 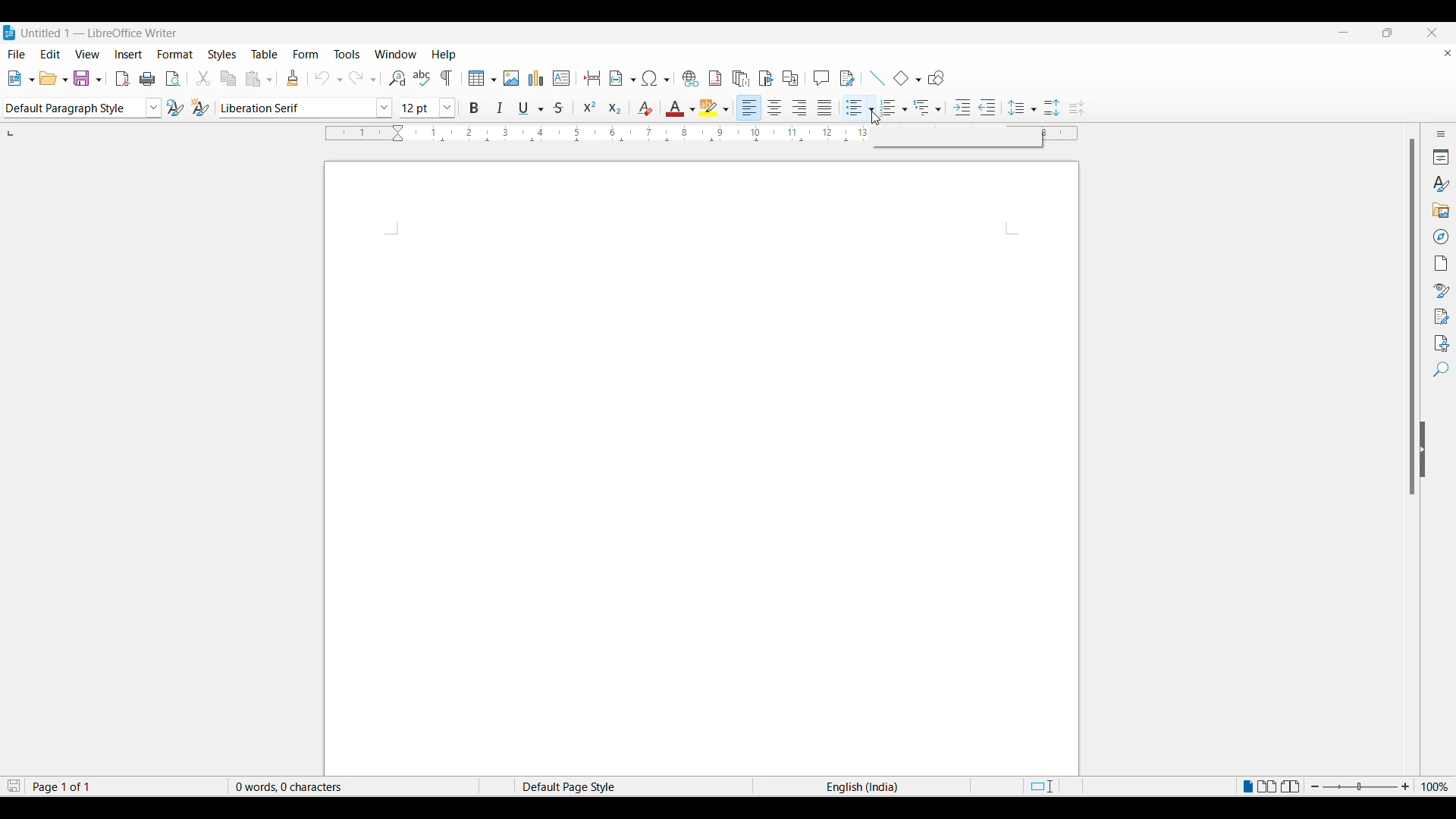 What do you see at coordinates (347, 53) in the screenshot?
I see `Tools` at bounding box center [347, 53].